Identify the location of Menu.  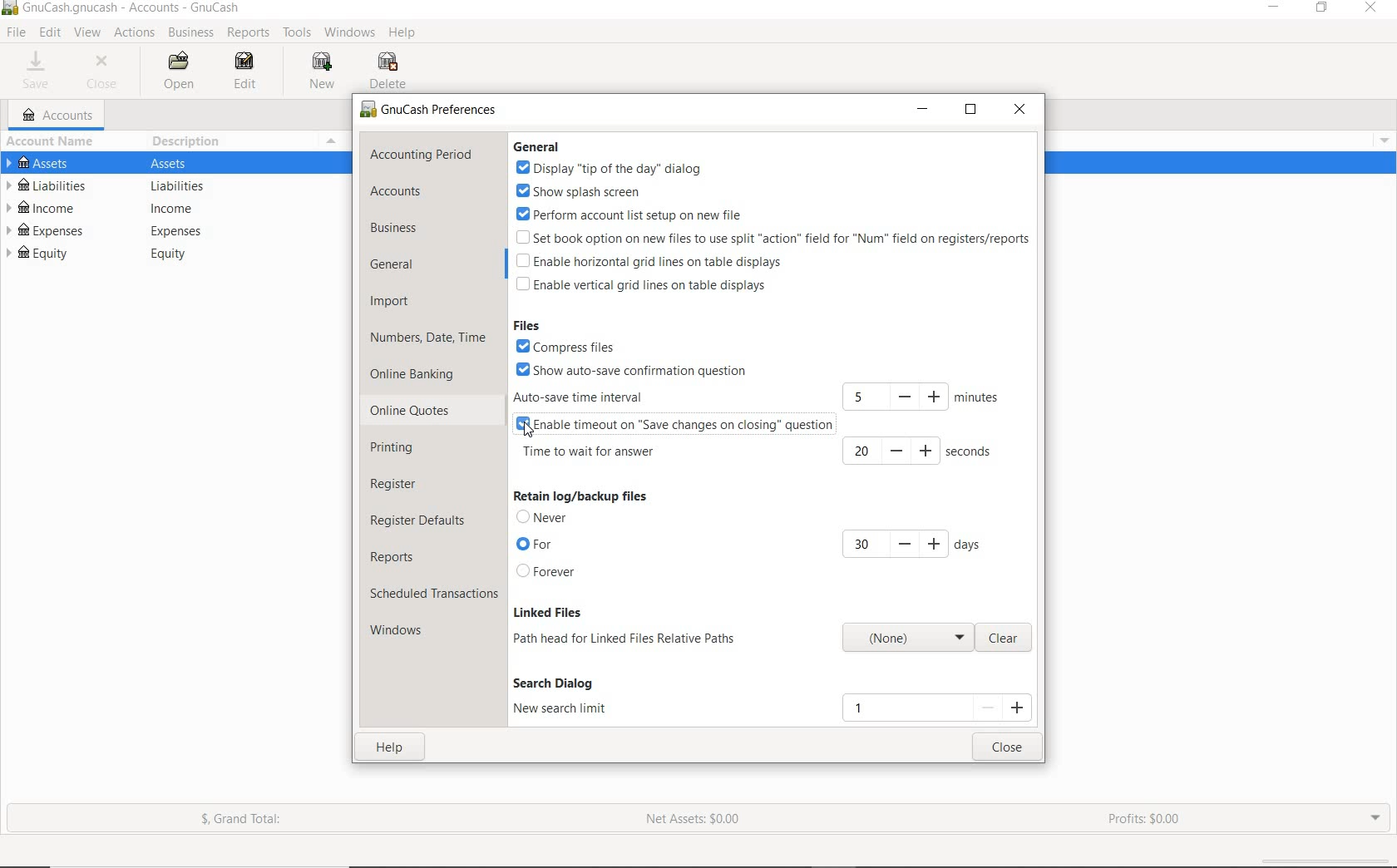
(332, 141).